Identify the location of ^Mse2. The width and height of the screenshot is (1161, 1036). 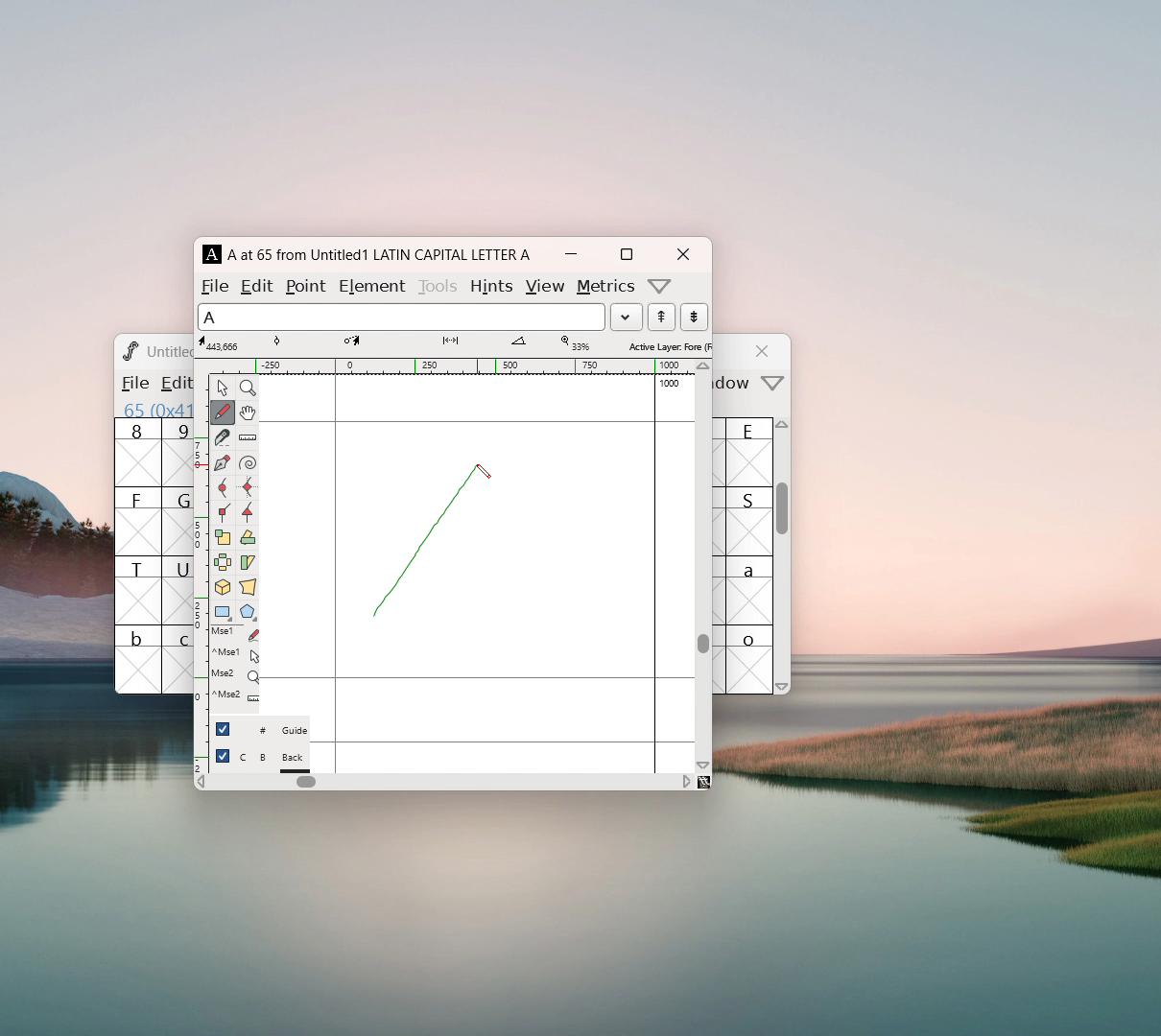
(235, 695).